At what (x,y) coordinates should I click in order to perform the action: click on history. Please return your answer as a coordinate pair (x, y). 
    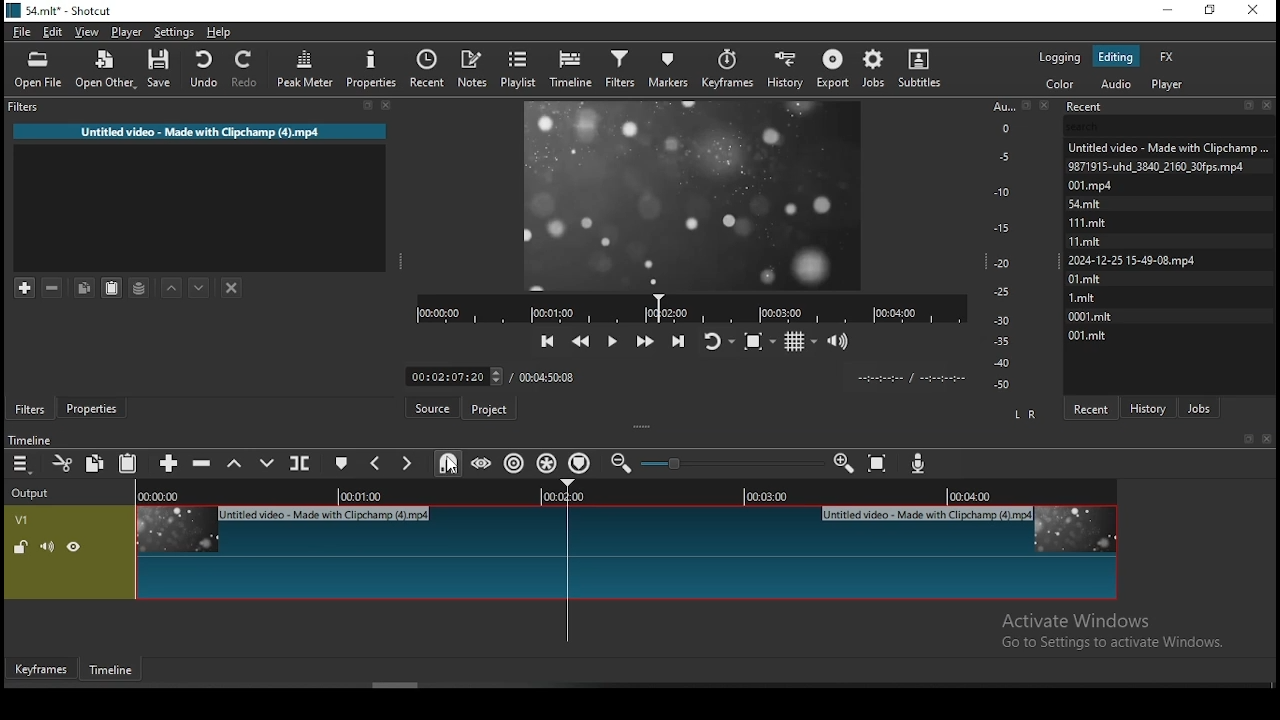
    Looking at the image, I should click on (1151, 407).